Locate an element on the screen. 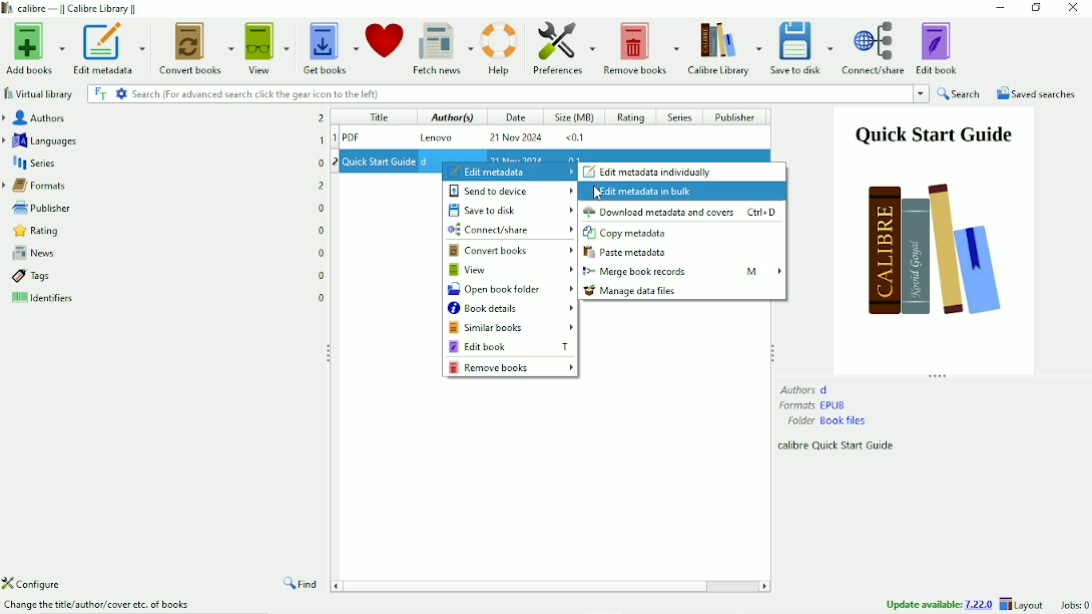 This screenshot has height=614, width=1092. Open book folder is located at coordinates (511, 290).